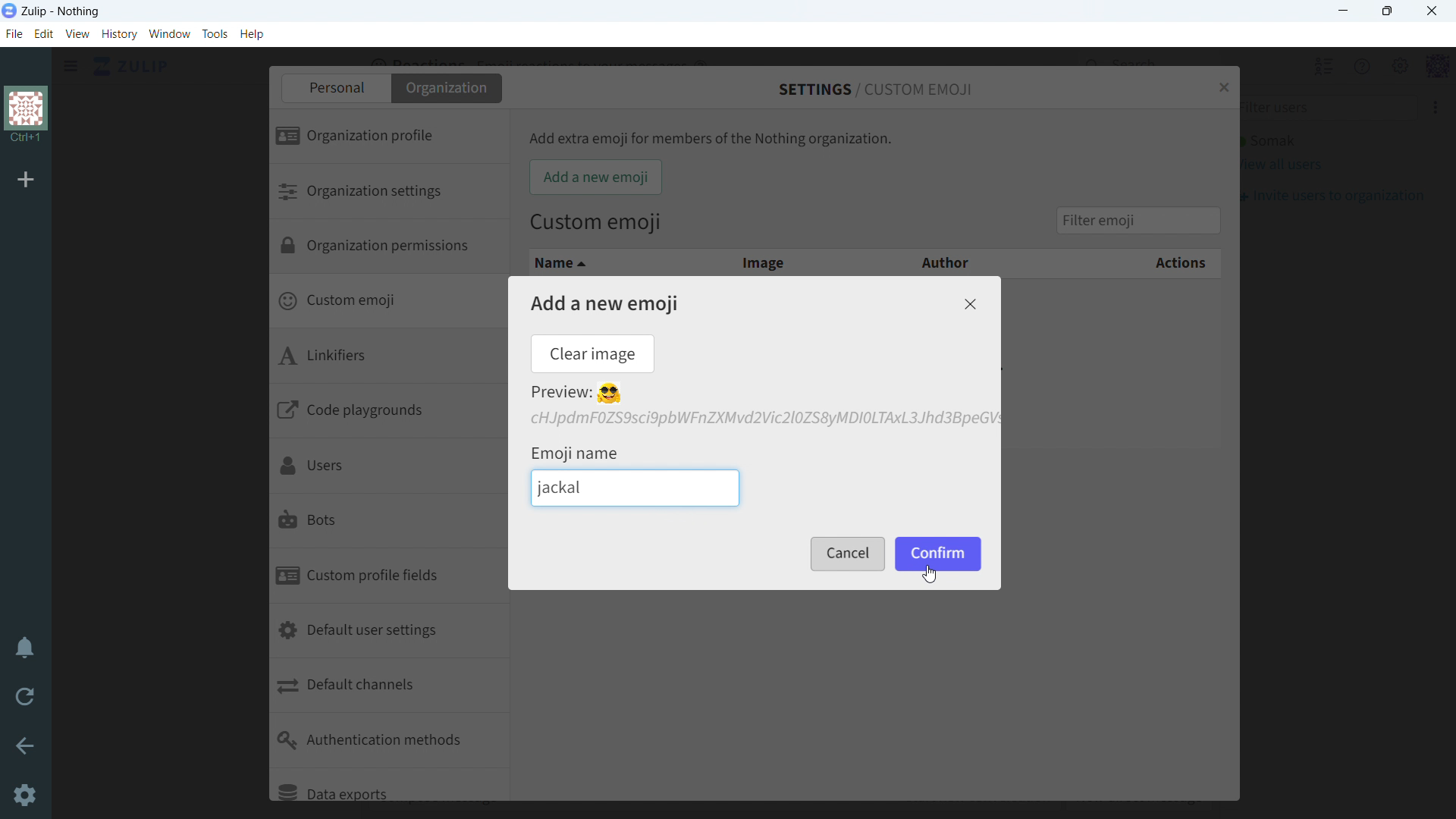  Describe the element at coordinates (1383, 65) in the screenshot. I see `main menu` at that location.